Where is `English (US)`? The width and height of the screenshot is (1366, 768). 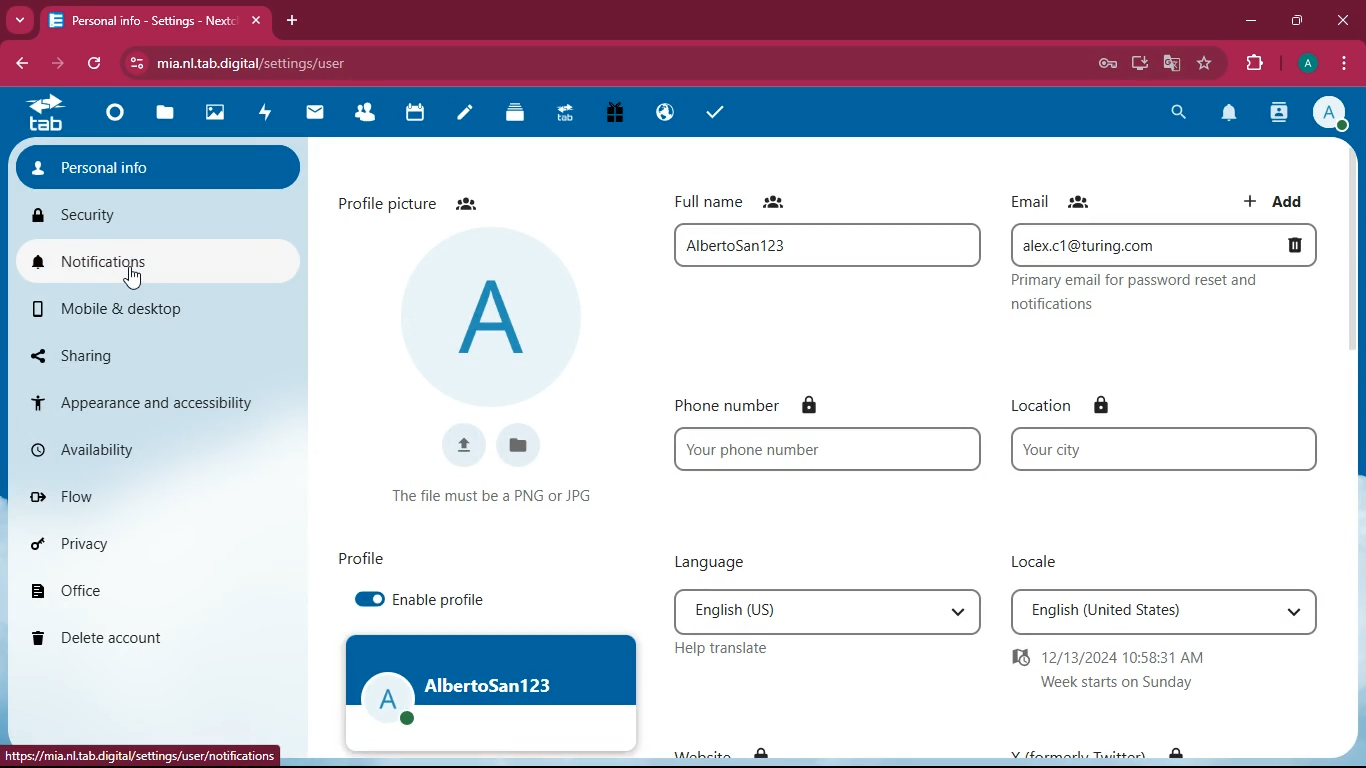 English (US) is located at coordinates (796, 613).